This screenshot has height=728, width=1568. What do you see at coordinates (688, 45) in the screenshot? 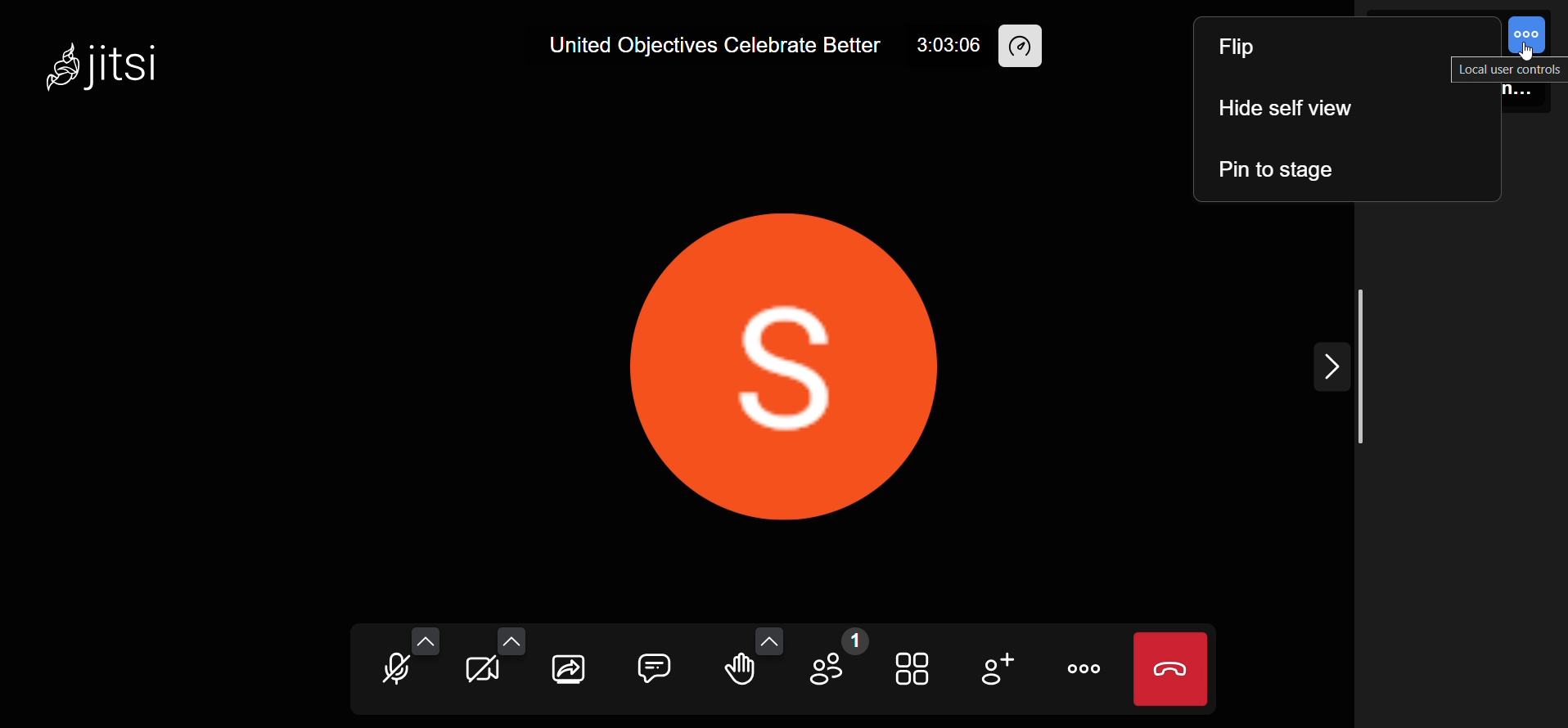
I see `United Objectives Celebrate Better` at bounding box center [688, 45].